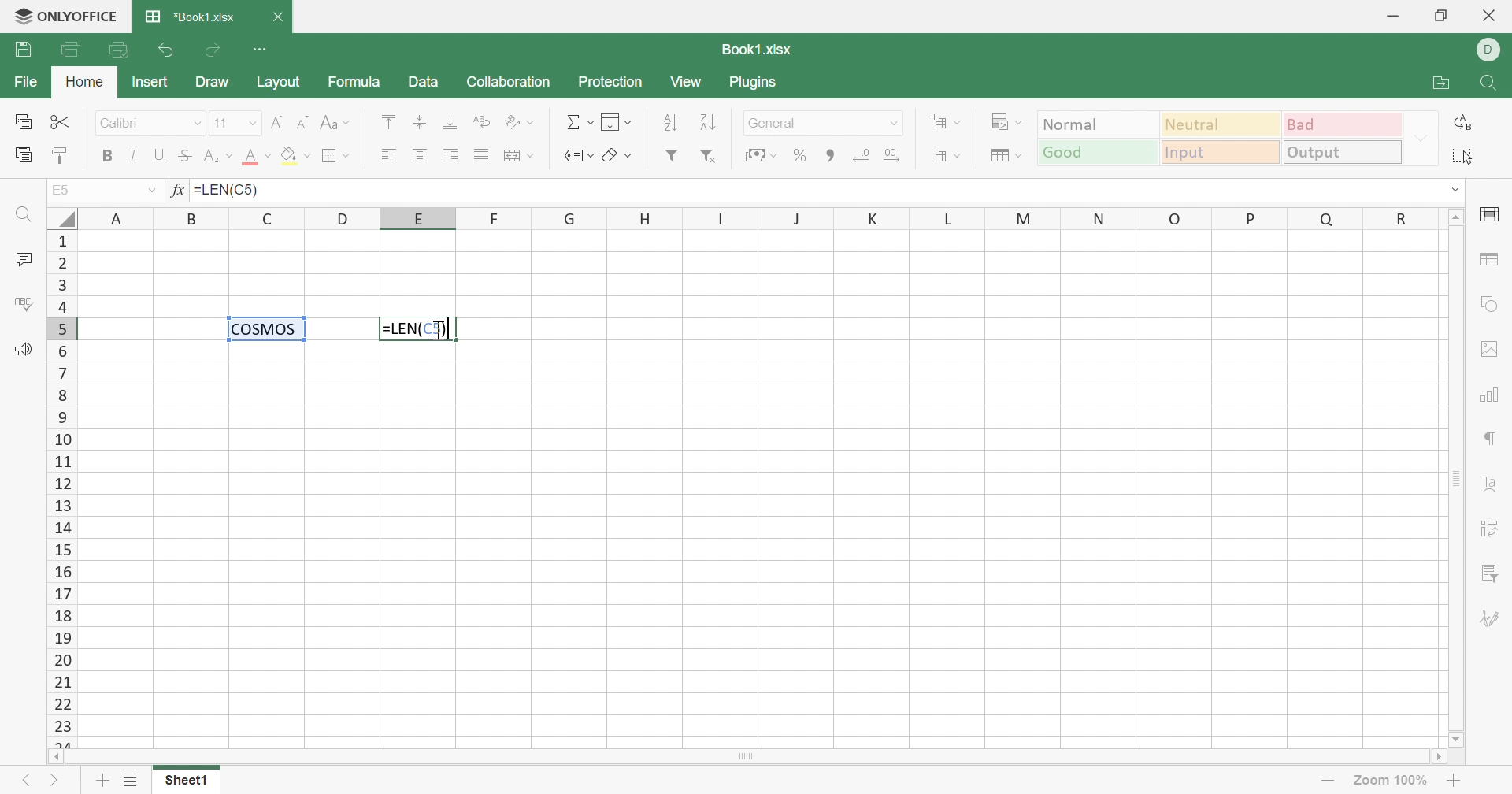 The width and height of the screenshot is (1512, 794). What do you see at coordinates (809, 123) in the screenshot?
I see `General` at bounding box center [809, 123].